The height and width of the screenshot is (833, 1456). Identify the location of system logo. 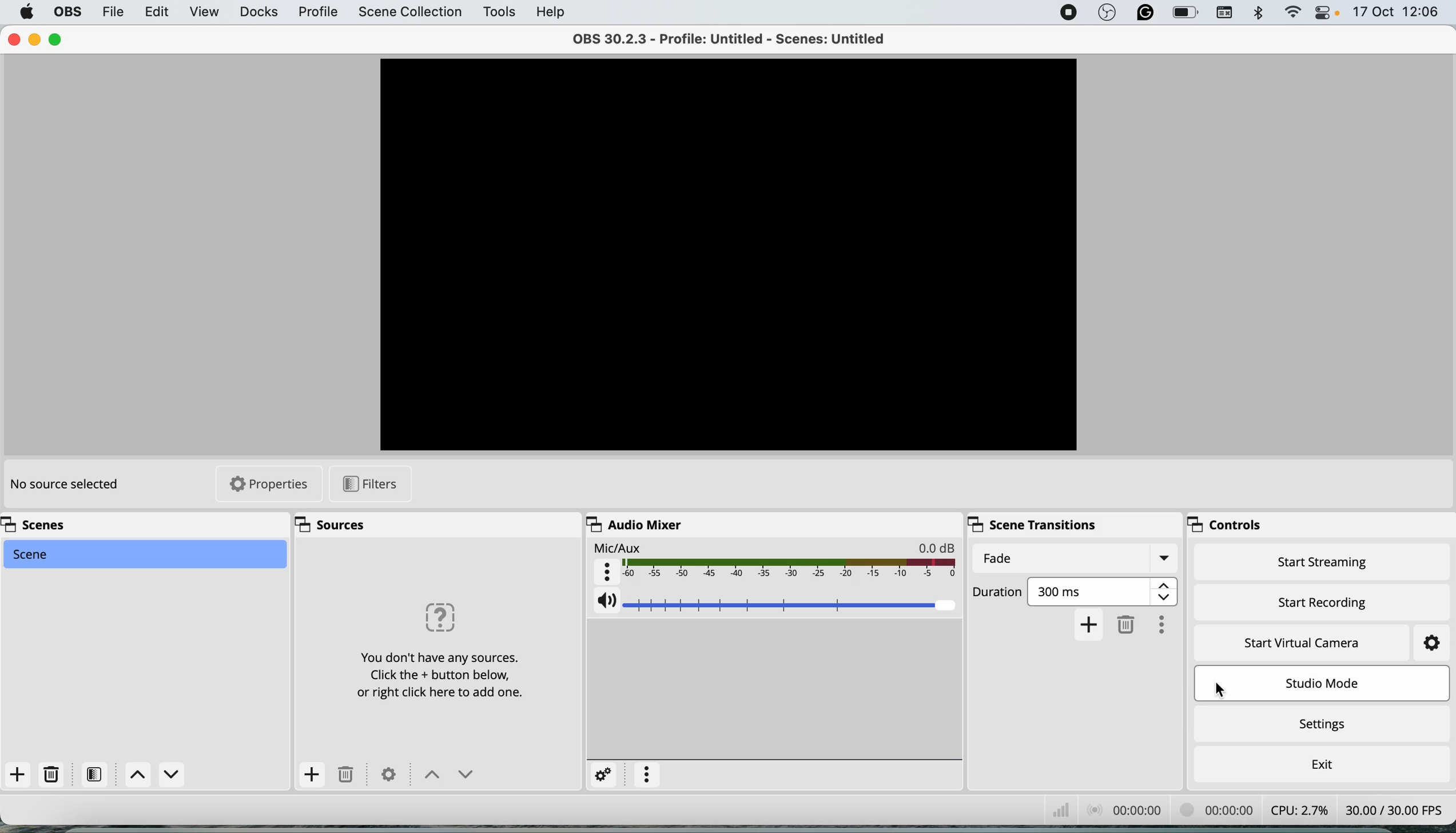
(25, 13).